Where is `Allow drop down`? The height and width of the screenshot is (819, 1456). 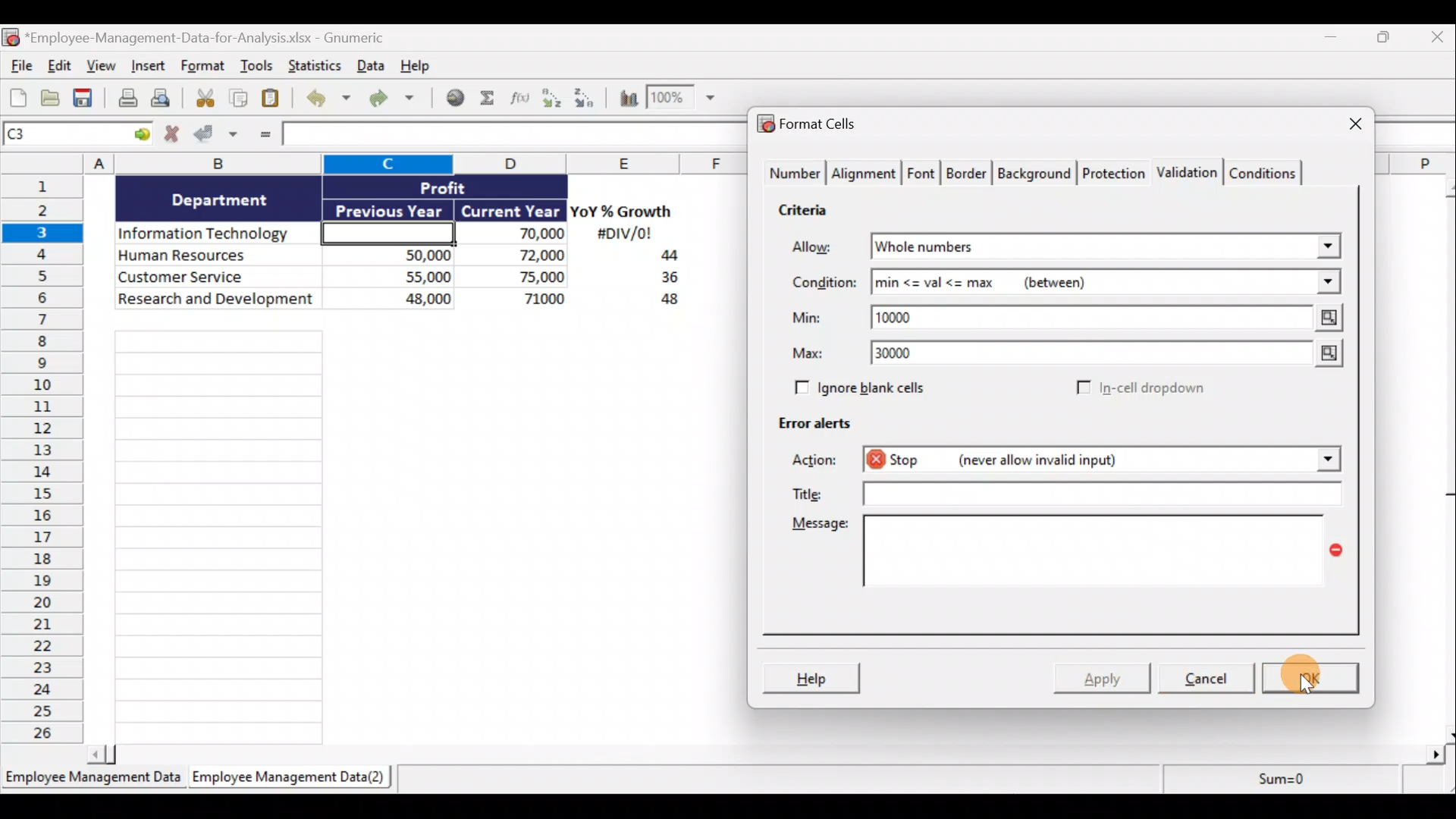 Allow drop down is located at coordinates (1325, 242).